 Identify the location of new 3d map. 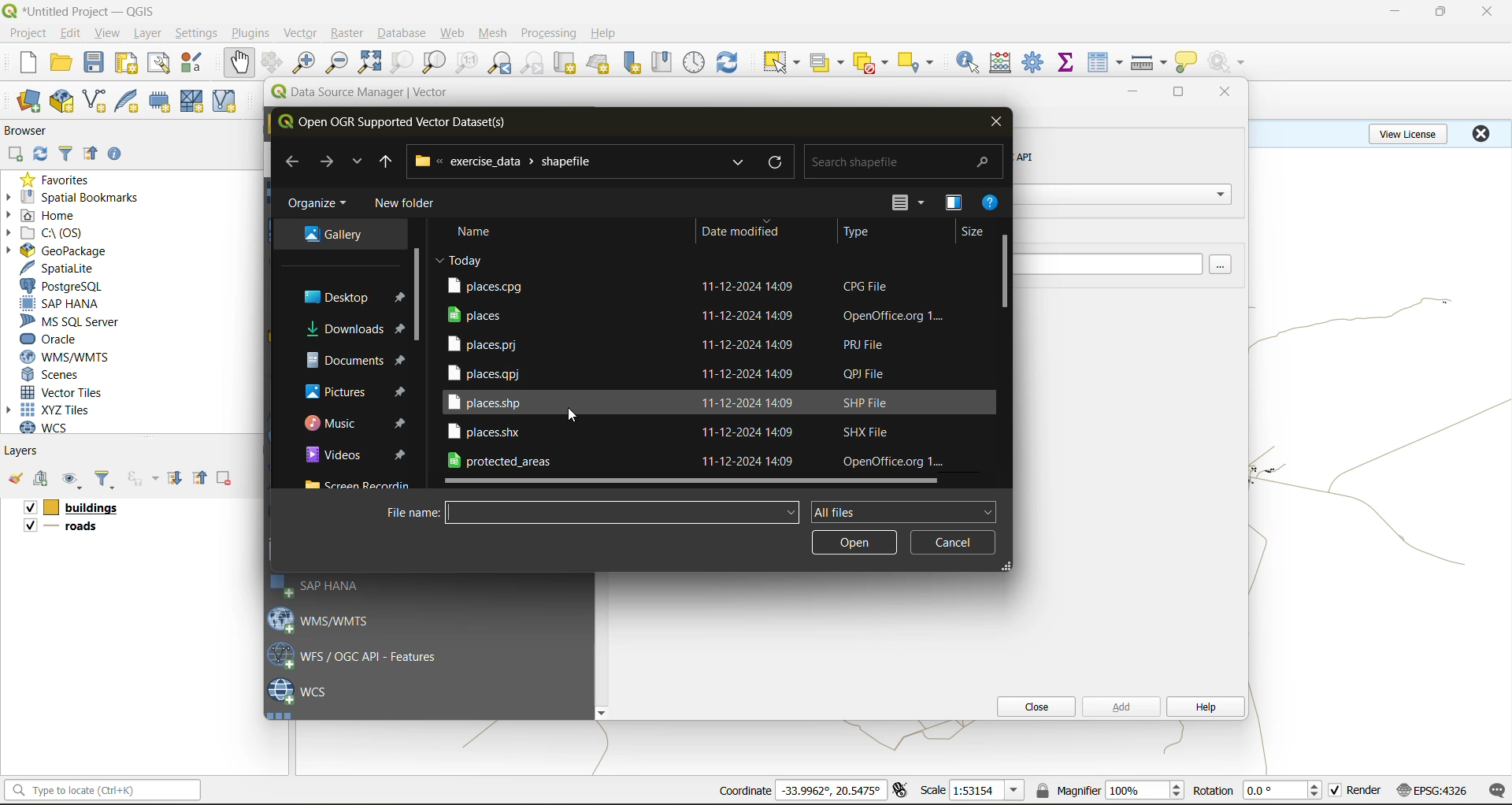
(600, 63).